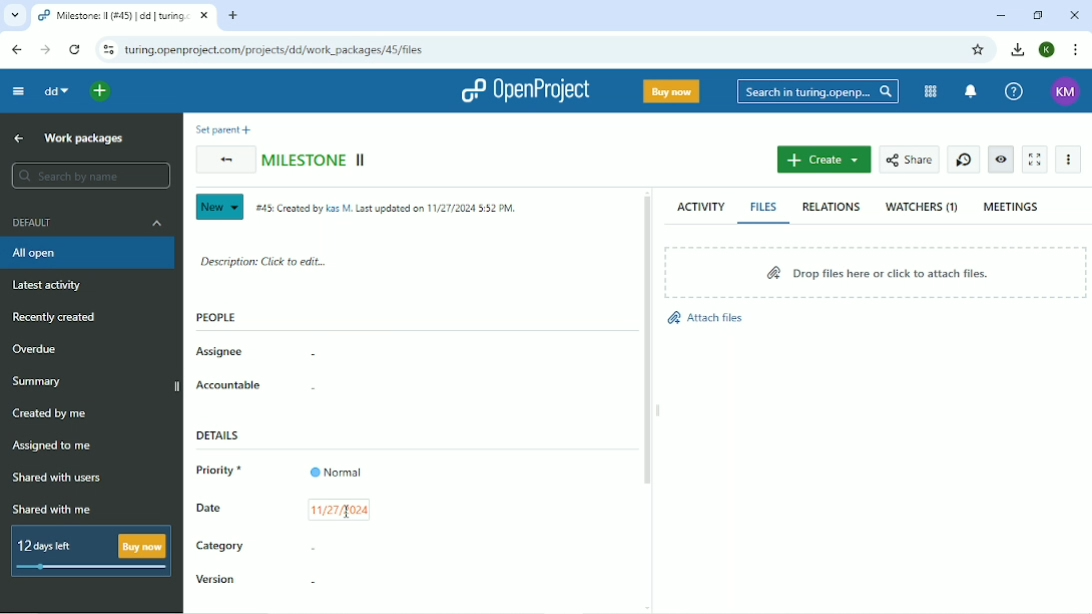  What do you see at coordinates (908, 160) in the screenshot?
I see `Share` at bounding box center [908, 160].